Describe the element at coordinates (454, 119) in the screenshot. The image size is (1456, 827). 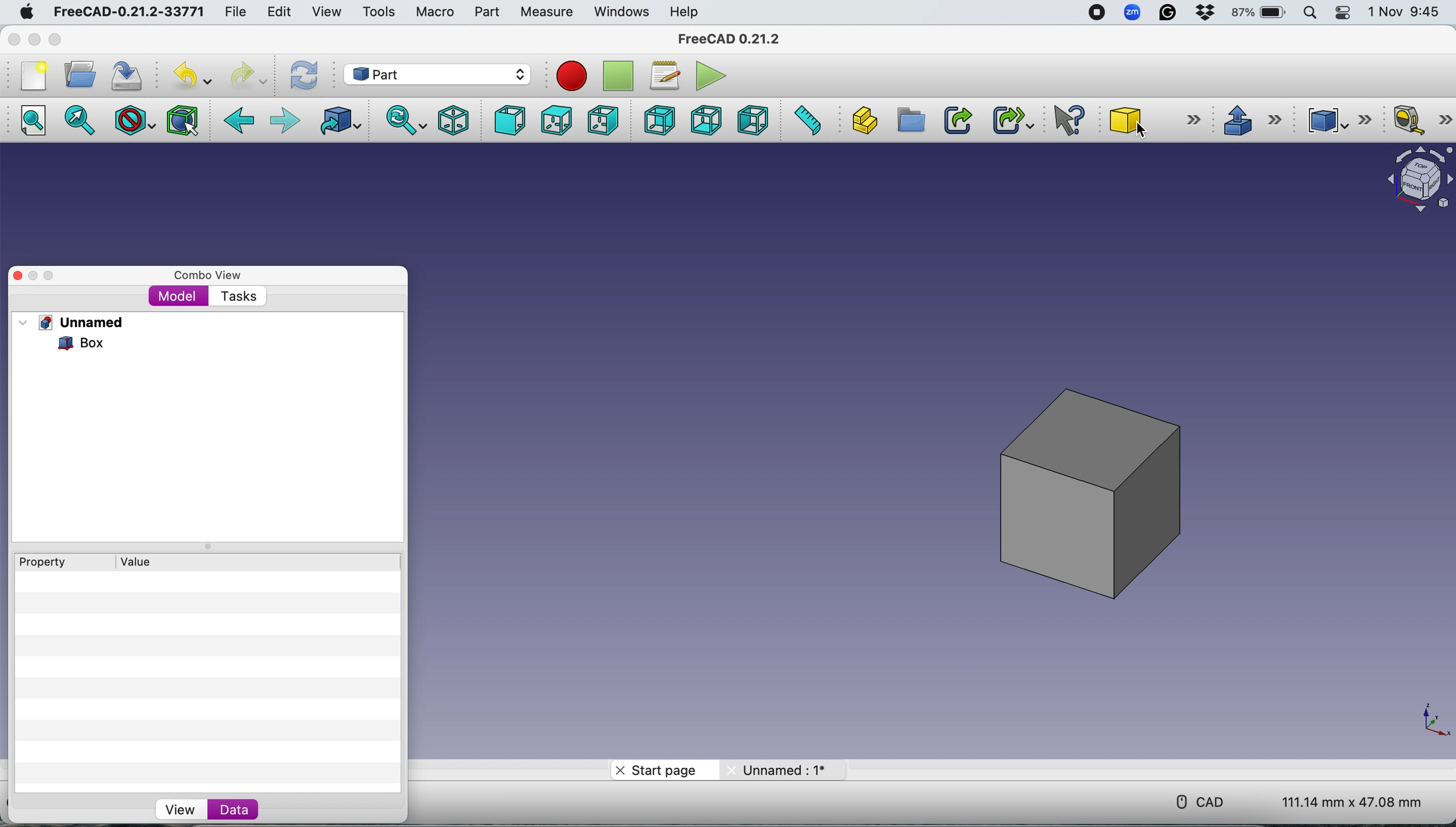
I see `Isometric` at that location.